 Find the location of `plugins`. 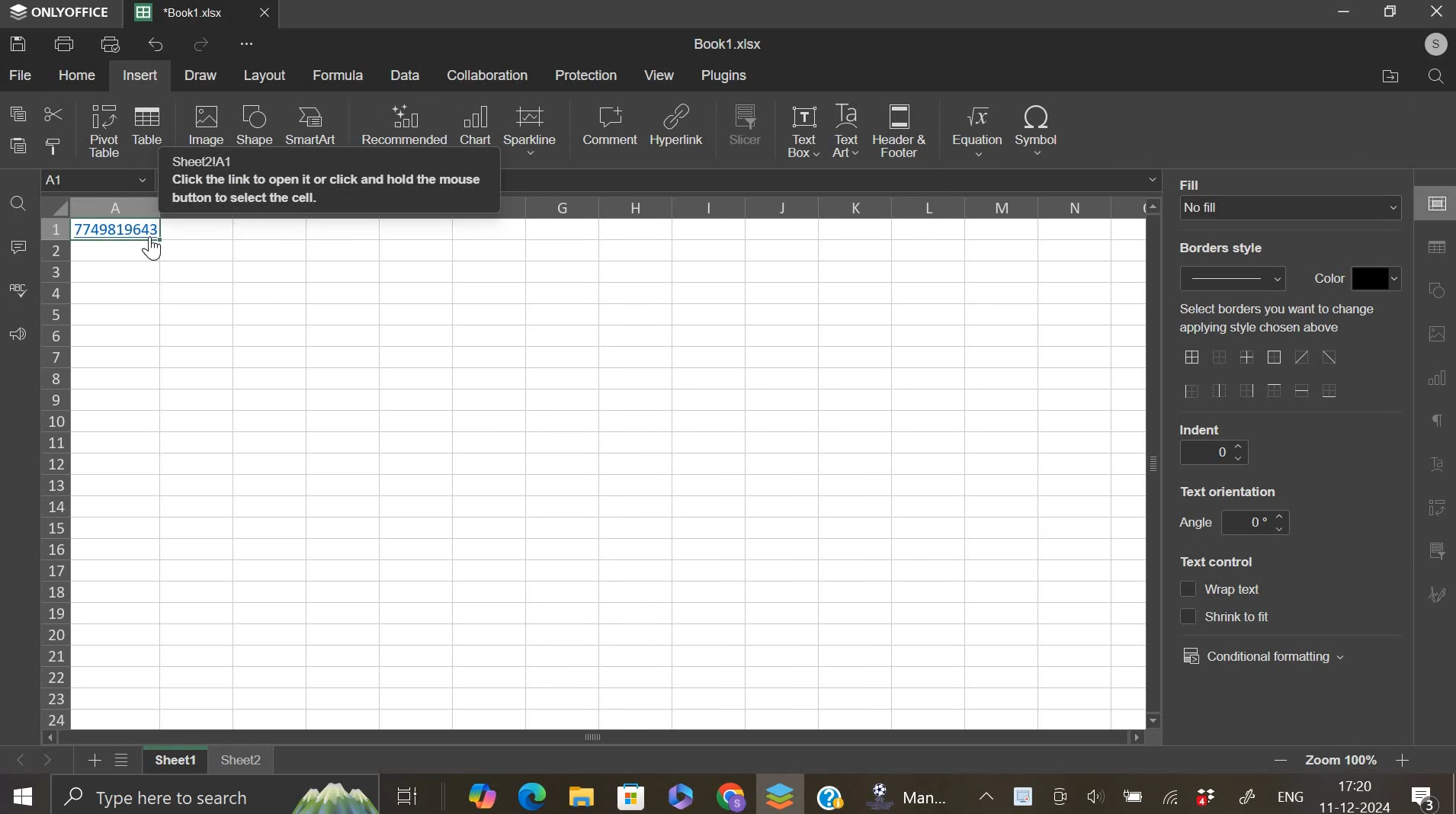

plugins is located at coordinates (723, 75).